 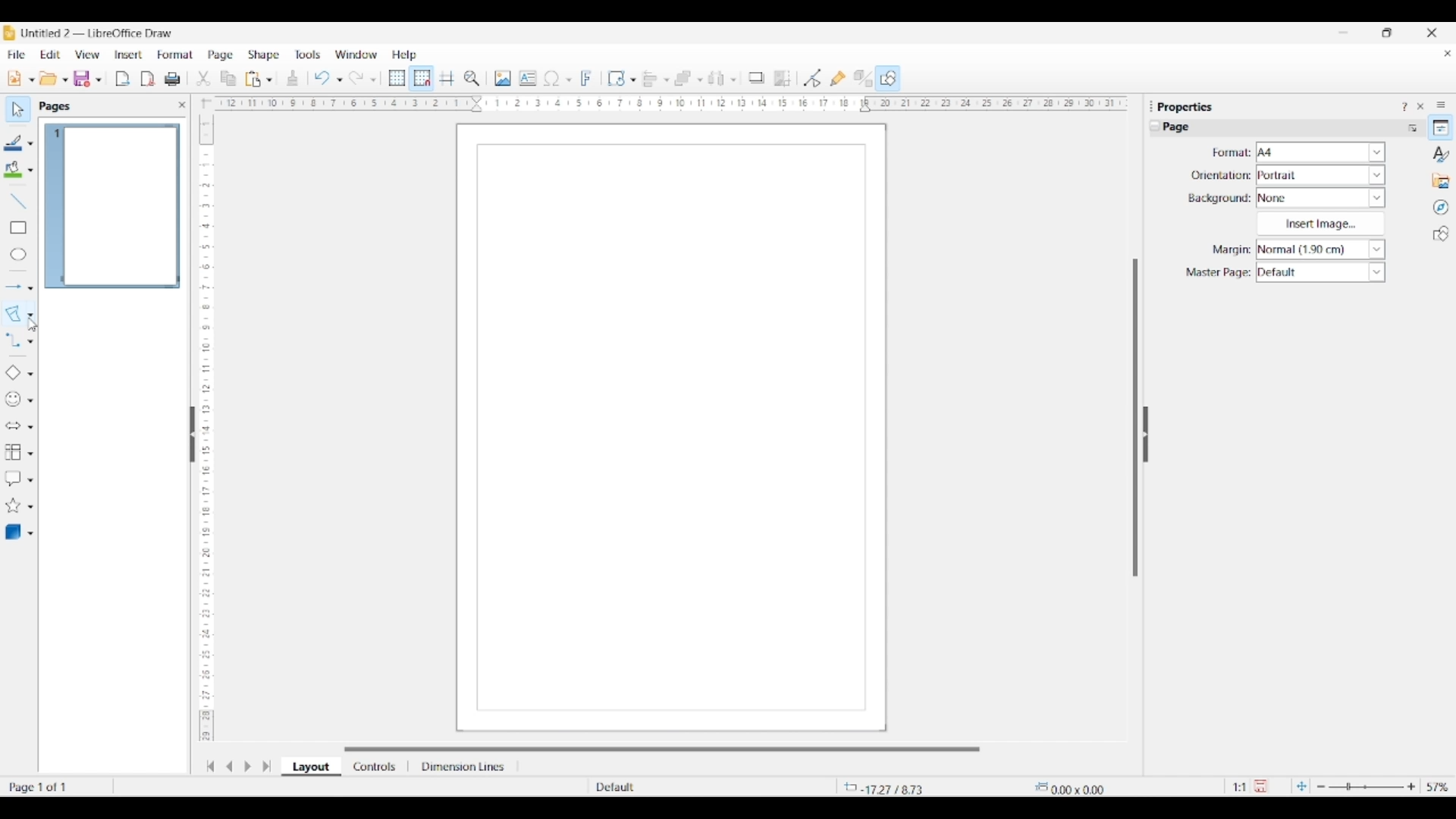 What do you see at coordinates (30, 315) in the screenshot?
I see `Curve and polygon options` at bounding box center [30, 315].